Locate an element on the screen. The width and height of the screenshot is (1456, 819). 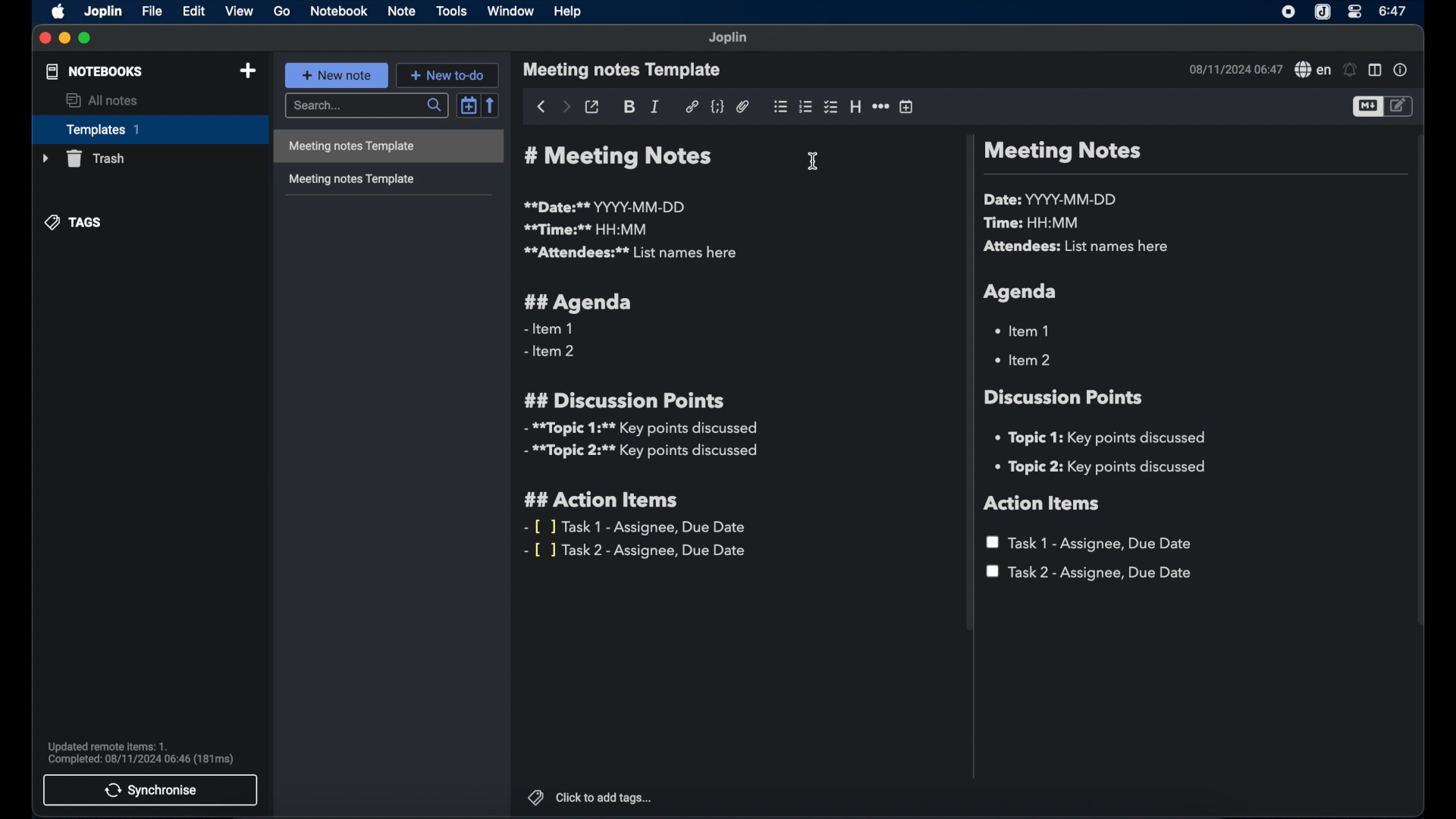
discussion points is located at coordinates (1065, 397).